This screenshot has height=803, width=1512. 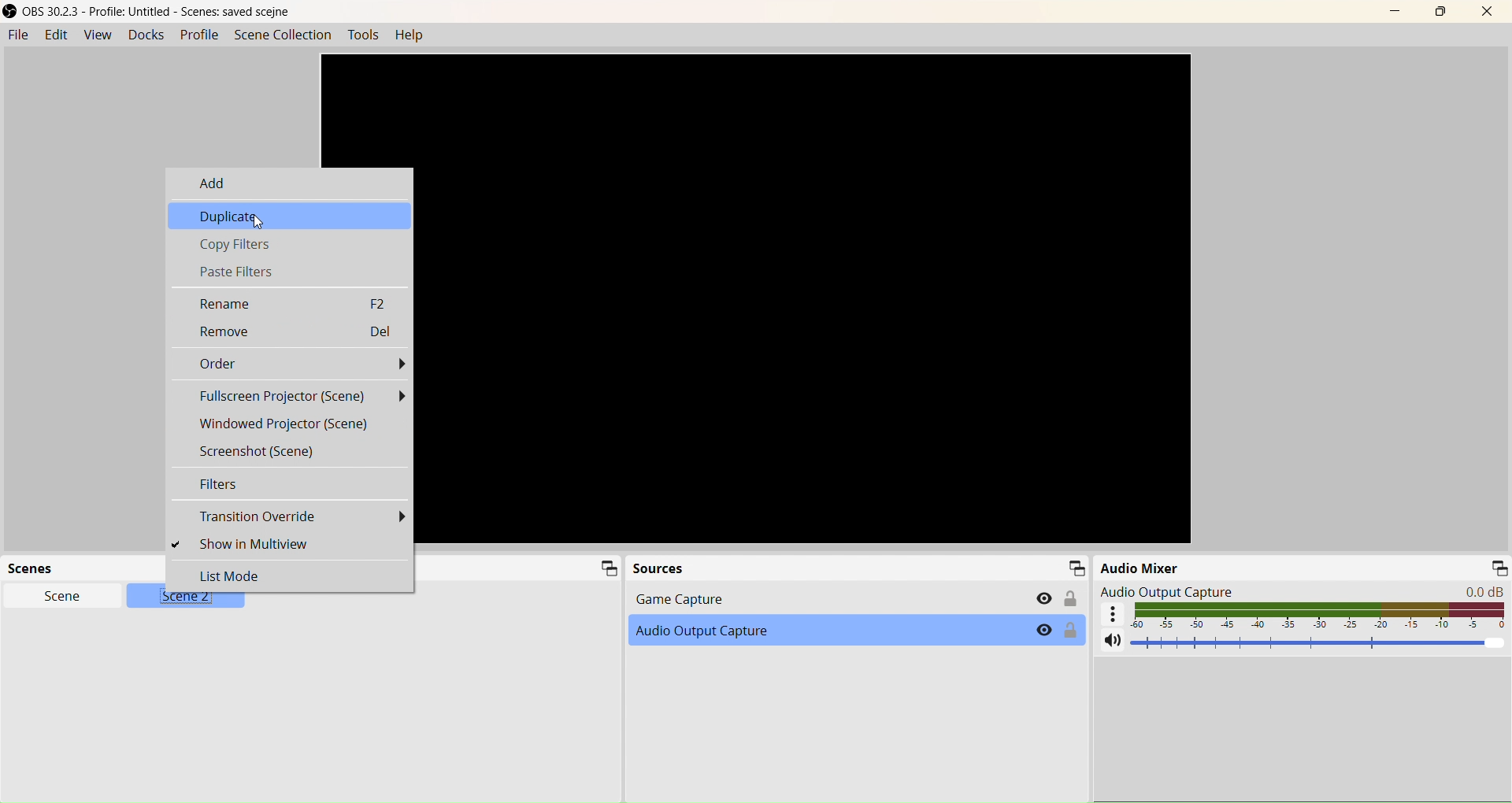 I want to click on Add, so click(x=288, y=183).